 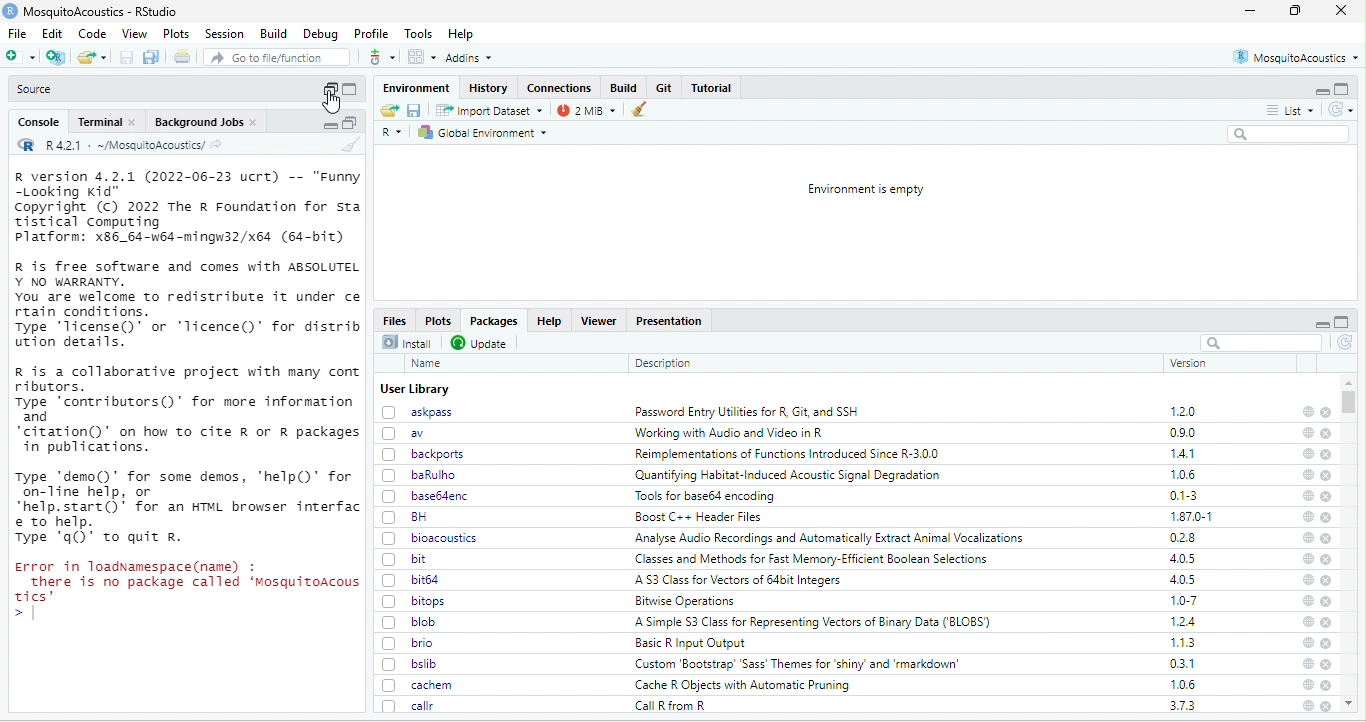 I want to click on 4.0.5, so click(x=1182, y=580).